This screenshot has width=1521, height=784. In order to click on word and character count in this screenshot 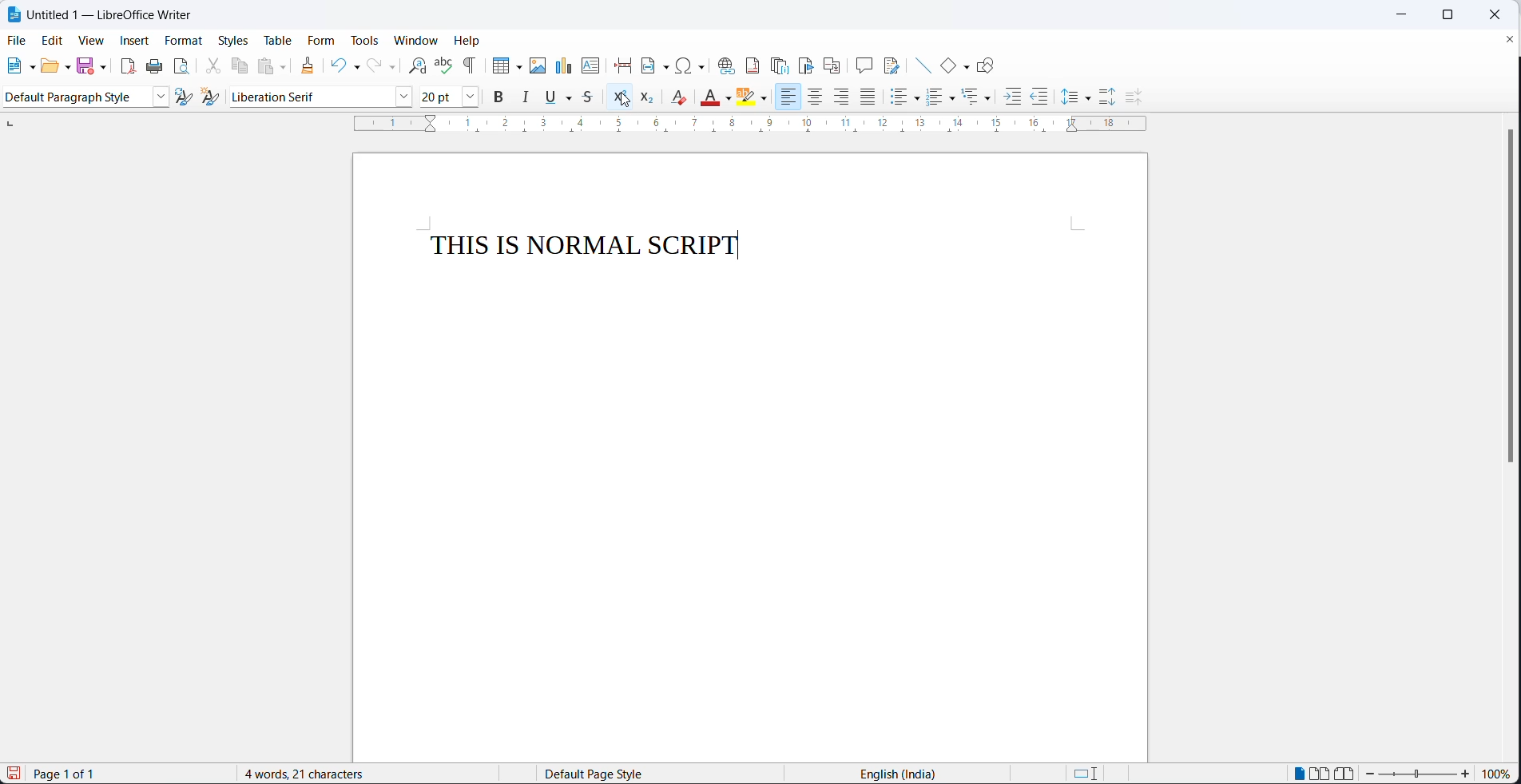, I will do `click(313, 774)`.